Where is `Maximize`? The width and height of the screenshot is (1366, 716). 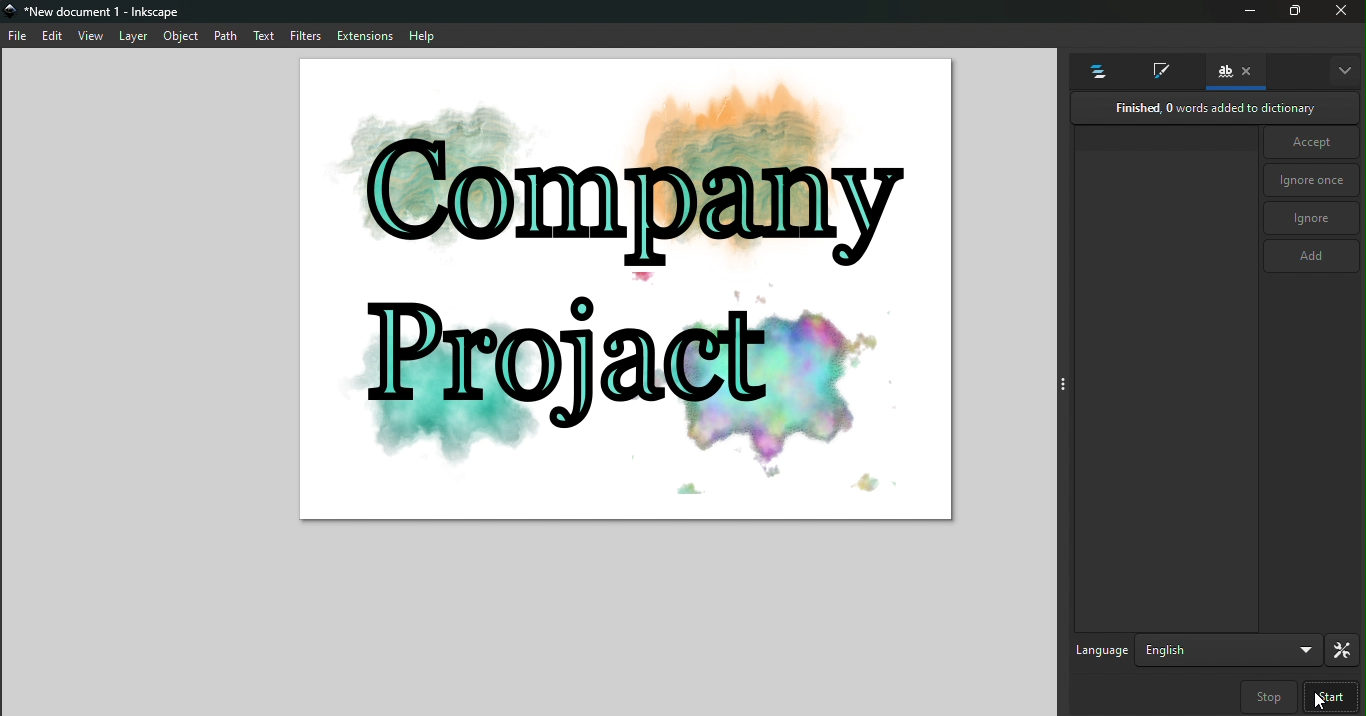
Maximize is located at coordinates (1298, 12).